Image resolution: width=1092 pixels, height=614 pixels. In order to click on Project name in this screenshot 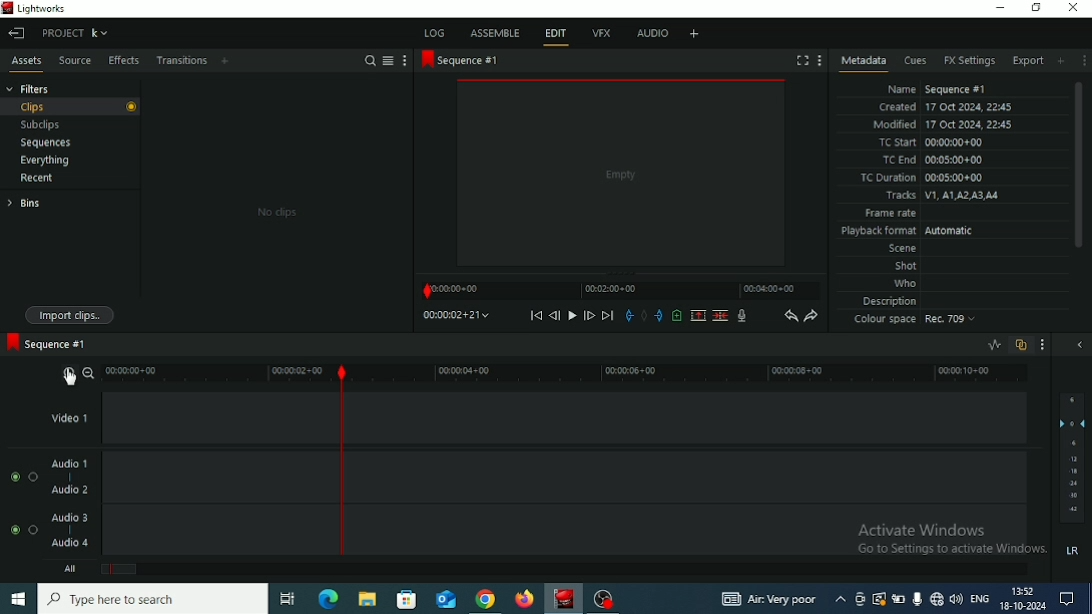, I will do `click(74, 33)`.